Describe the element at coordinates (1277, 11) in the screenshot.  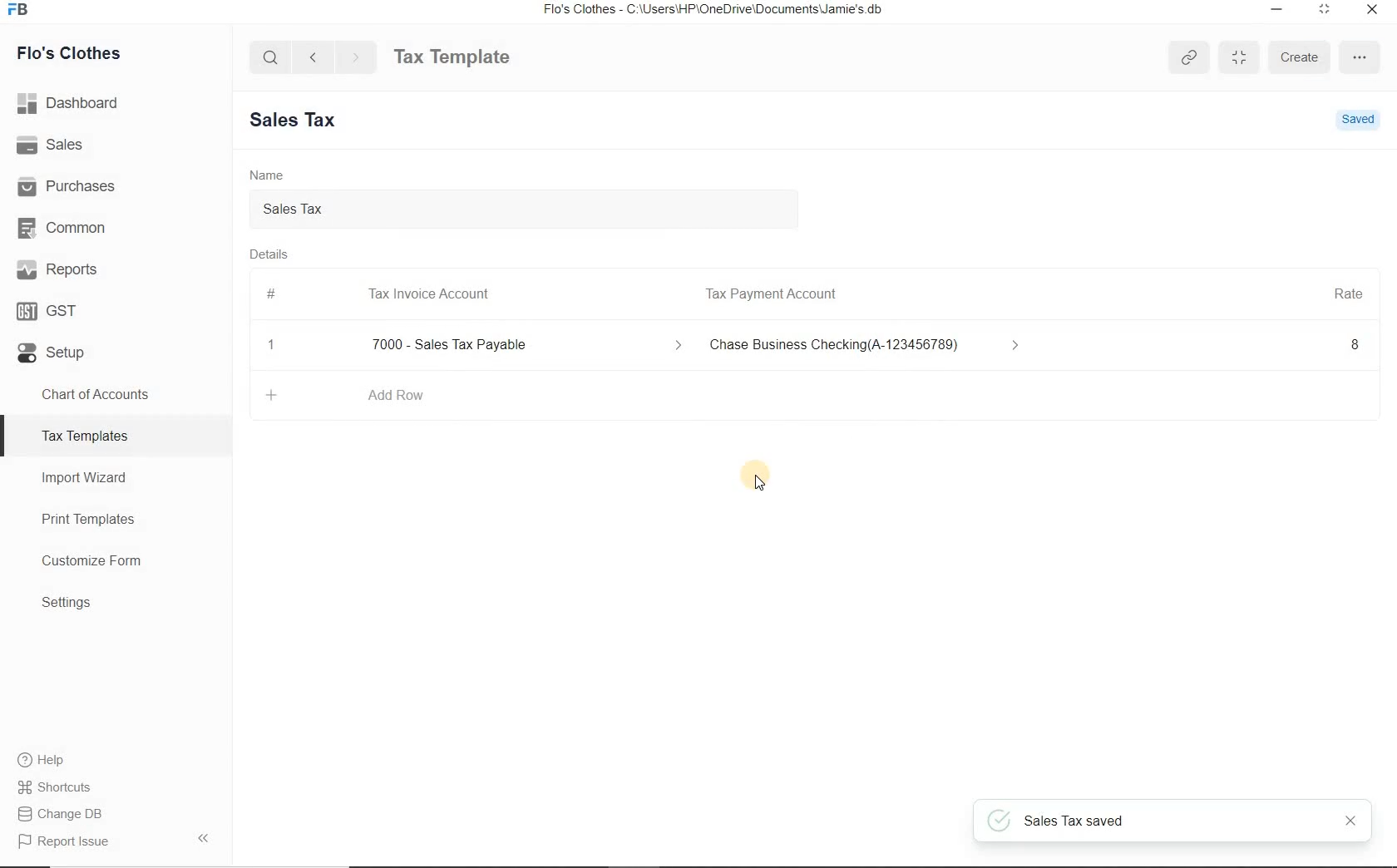
I see `Minimize` at that location.